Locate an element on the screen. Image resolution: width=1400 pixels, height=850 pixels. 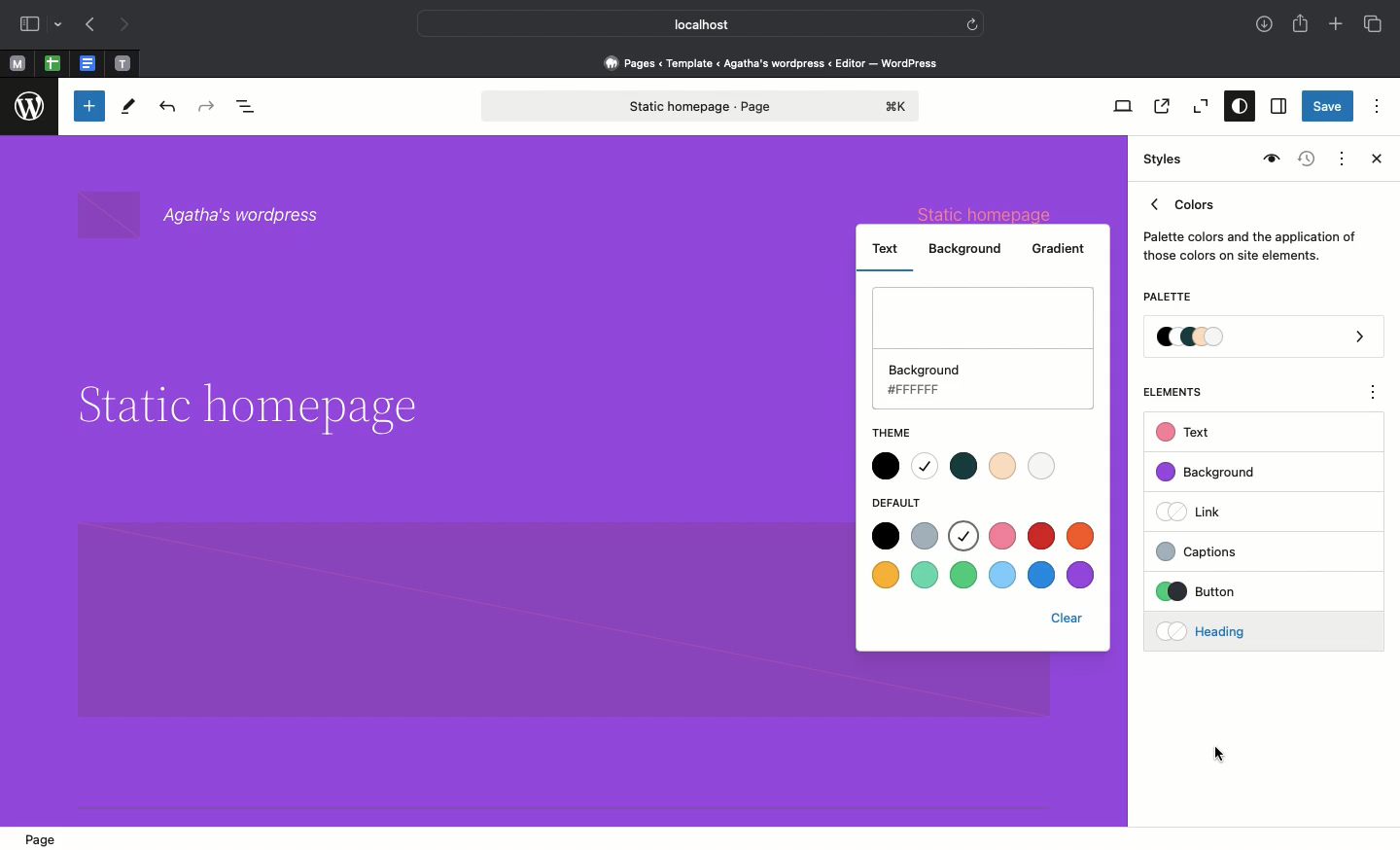
Actions is located at coordinates (1340, 157).